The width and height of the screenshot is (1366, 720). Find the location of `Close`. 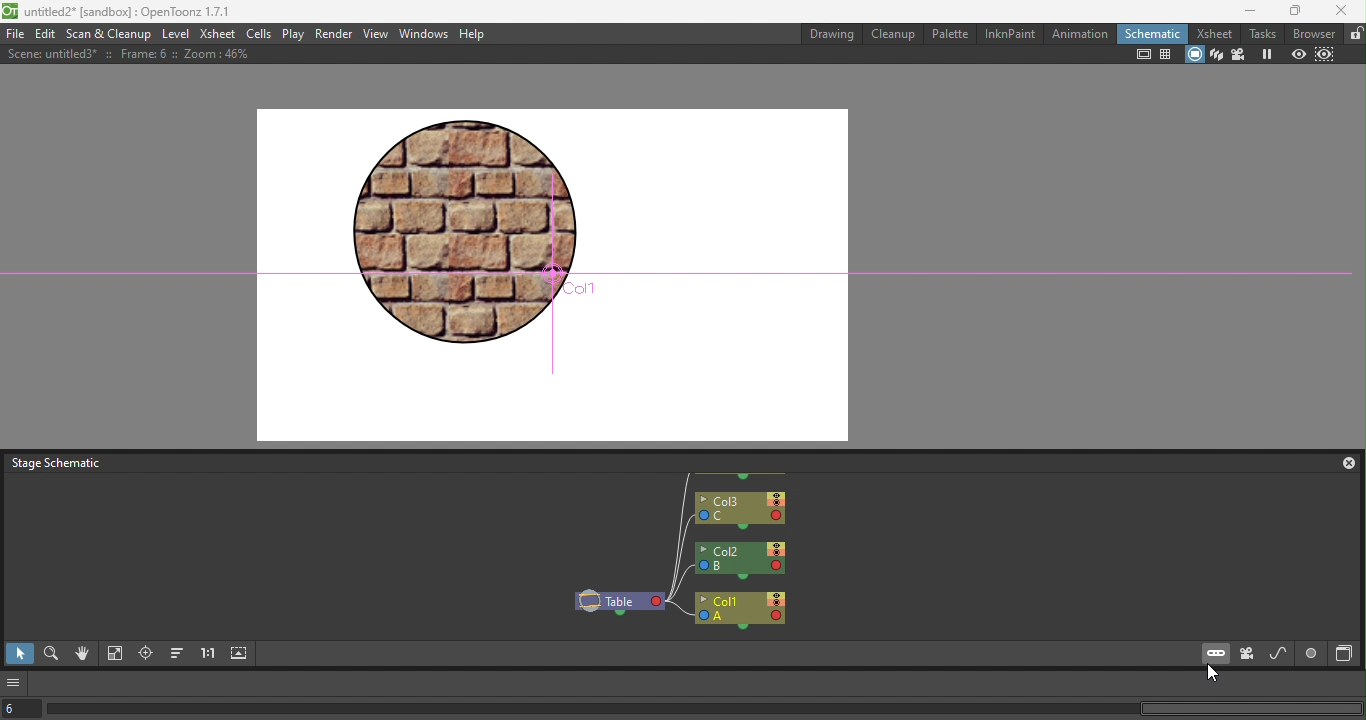

Close is located at coordinates (1342, 463).